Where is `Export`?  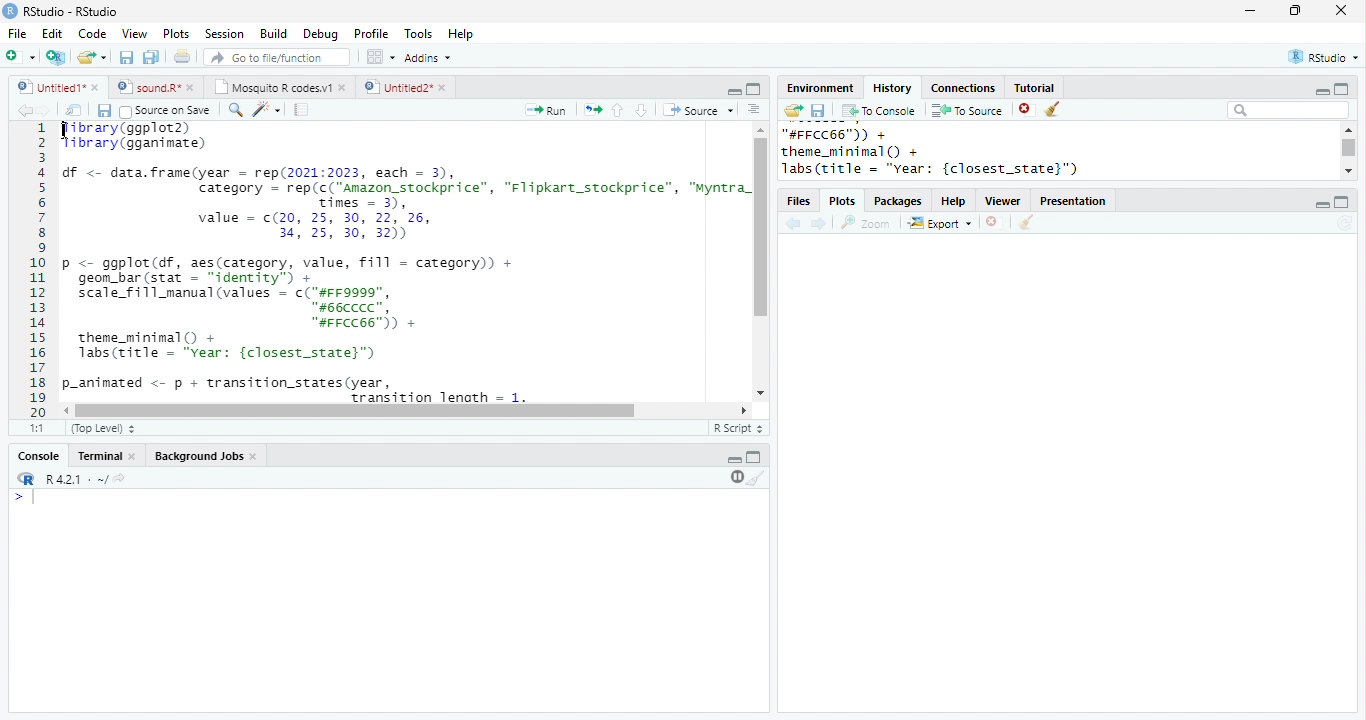
Export is located at coordinates (939, 222).